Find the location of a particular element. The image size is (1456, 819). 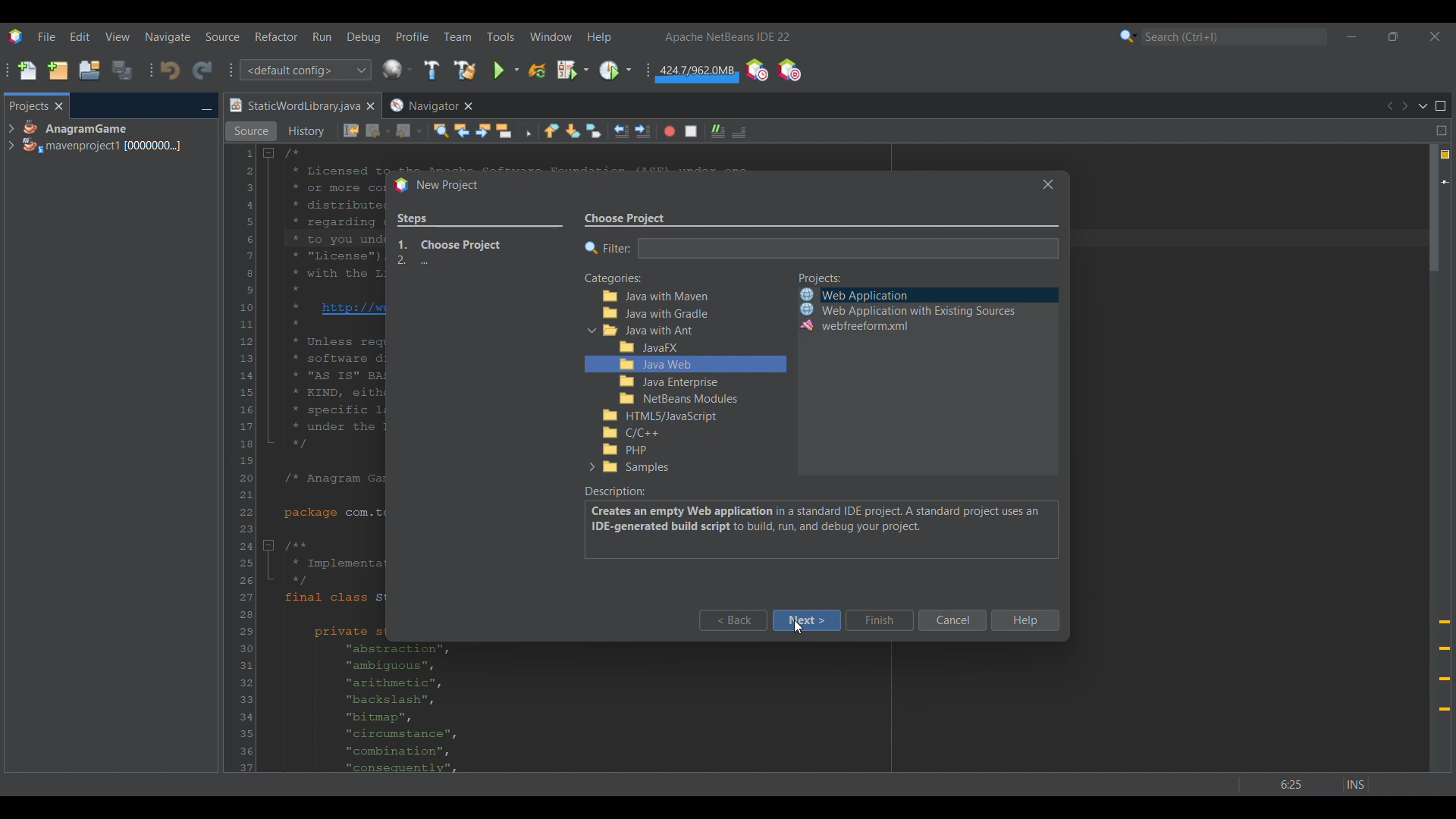

Undo is located at coordinates (170, 71).